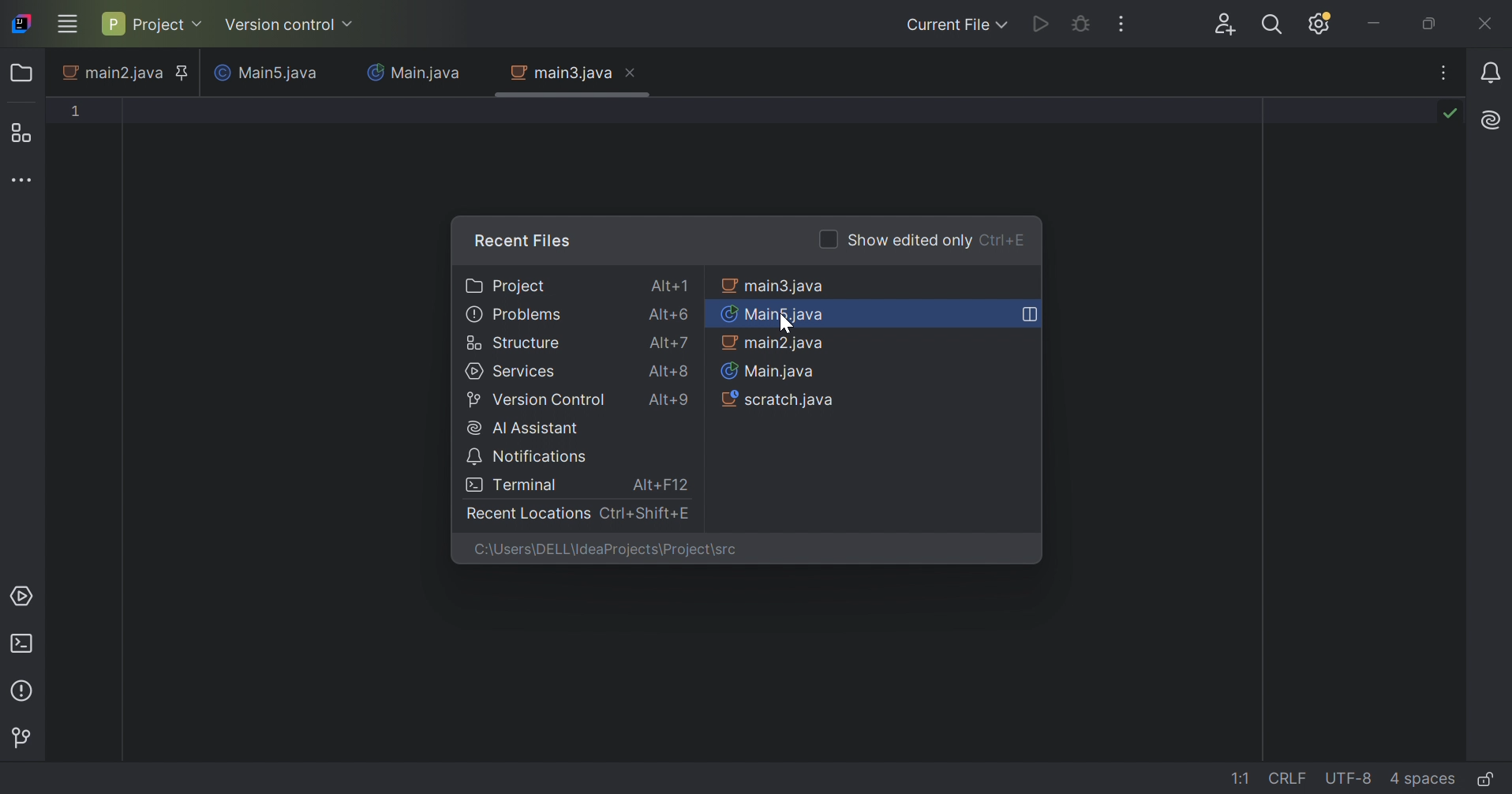  I want to click on main3.java, so click(773, 285).